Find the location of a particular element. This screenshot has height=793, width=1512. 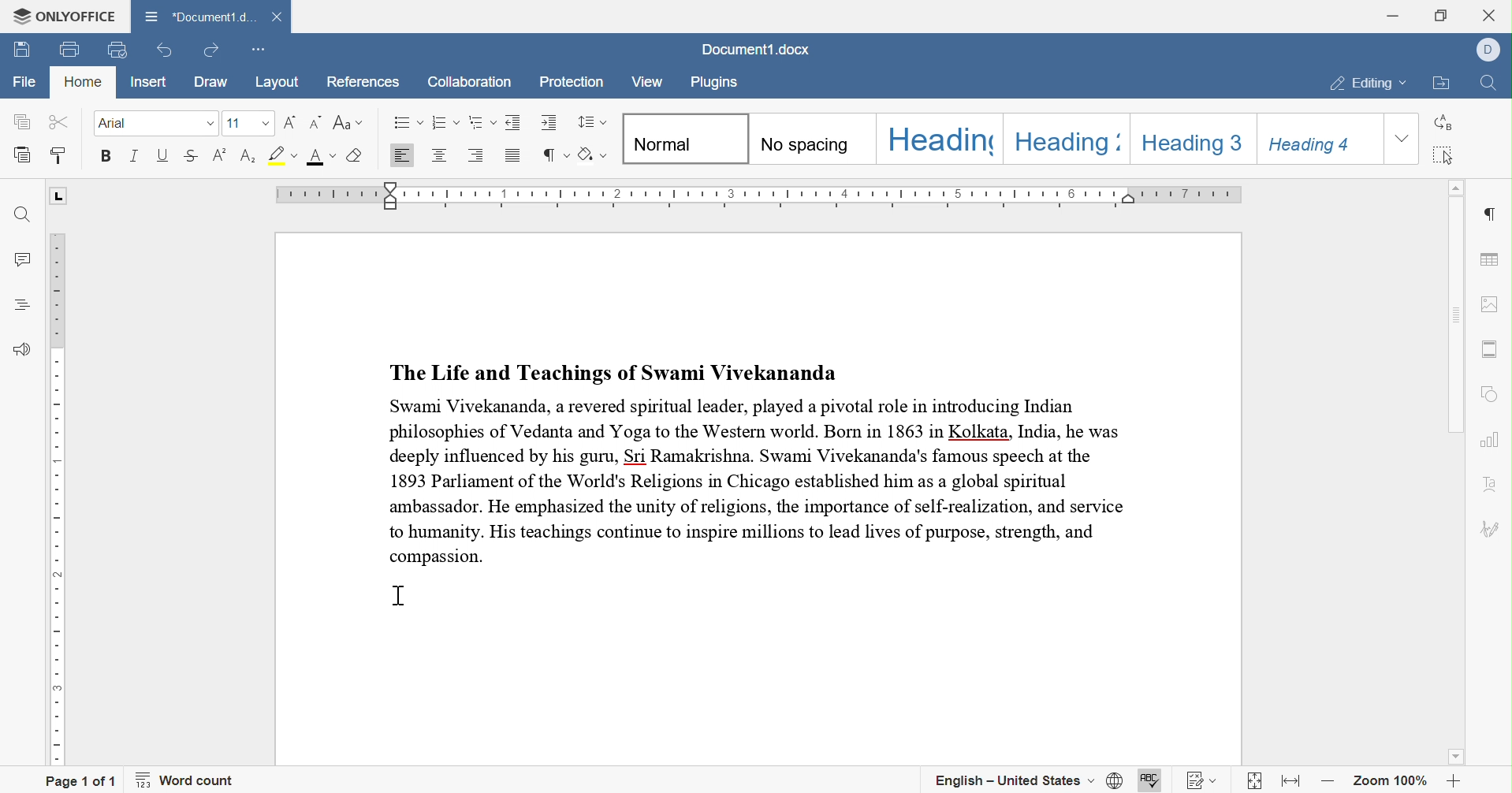

feedback and support is located at coordinates (24, 351).